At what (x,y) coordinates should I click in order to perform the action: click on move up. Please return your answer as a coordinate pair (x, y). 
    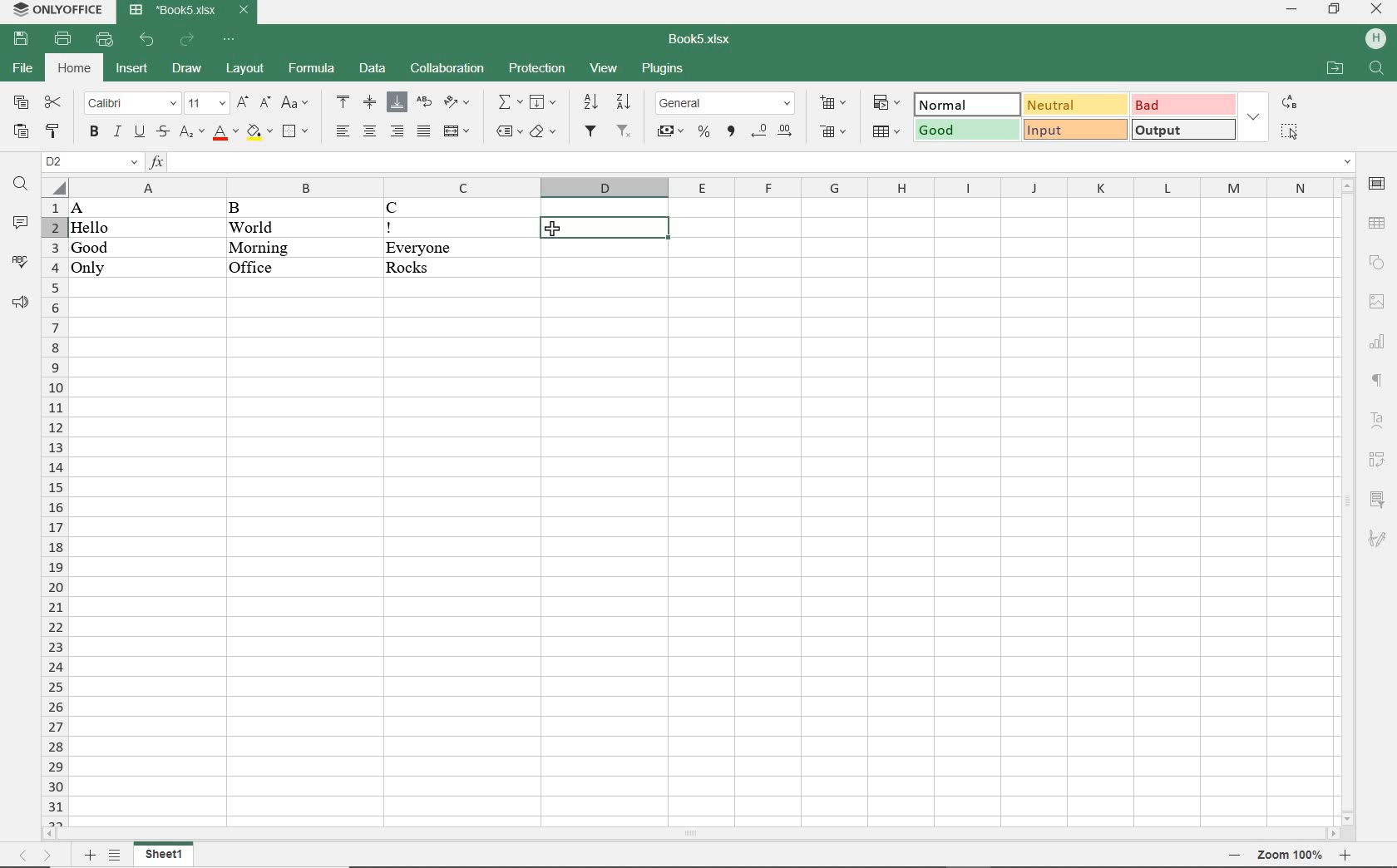
    Looking at the image, I should click on (1346, 185).